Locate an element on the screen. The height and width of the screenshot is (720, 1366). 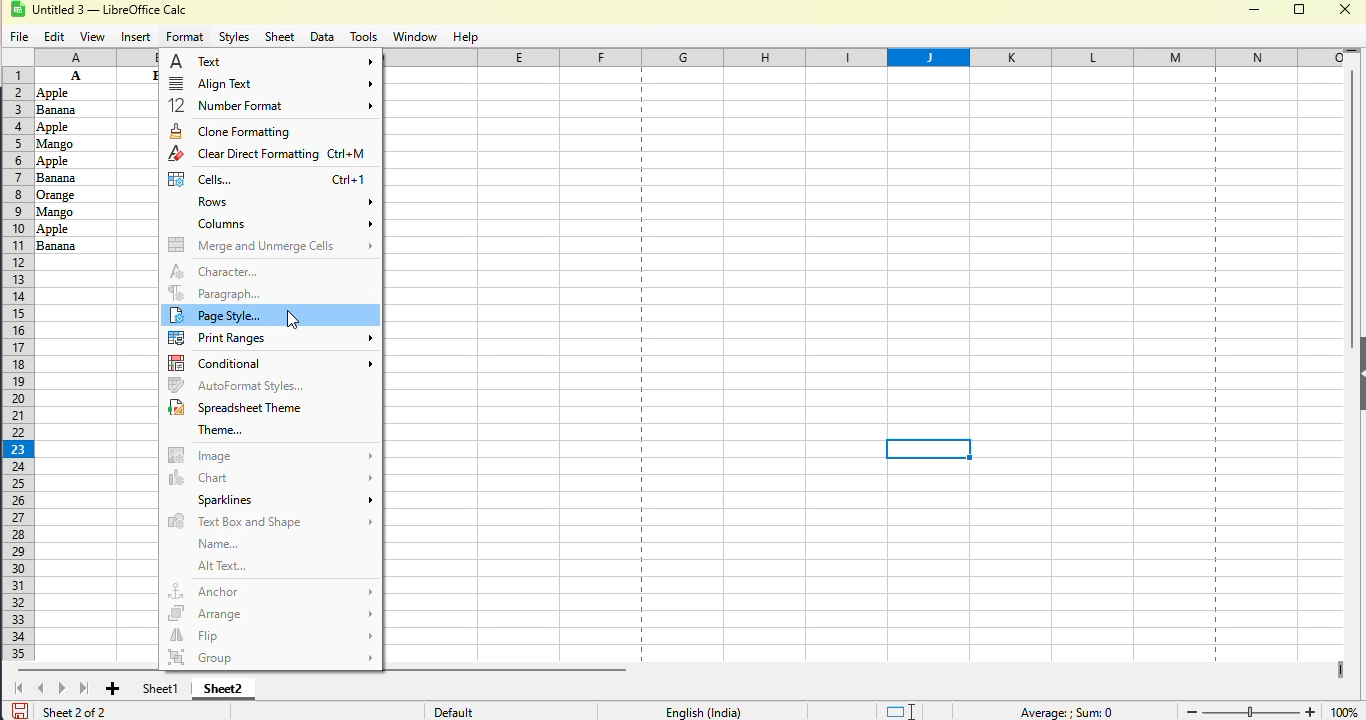
sheet 2 of 2 is located at coordinates (73, 711).